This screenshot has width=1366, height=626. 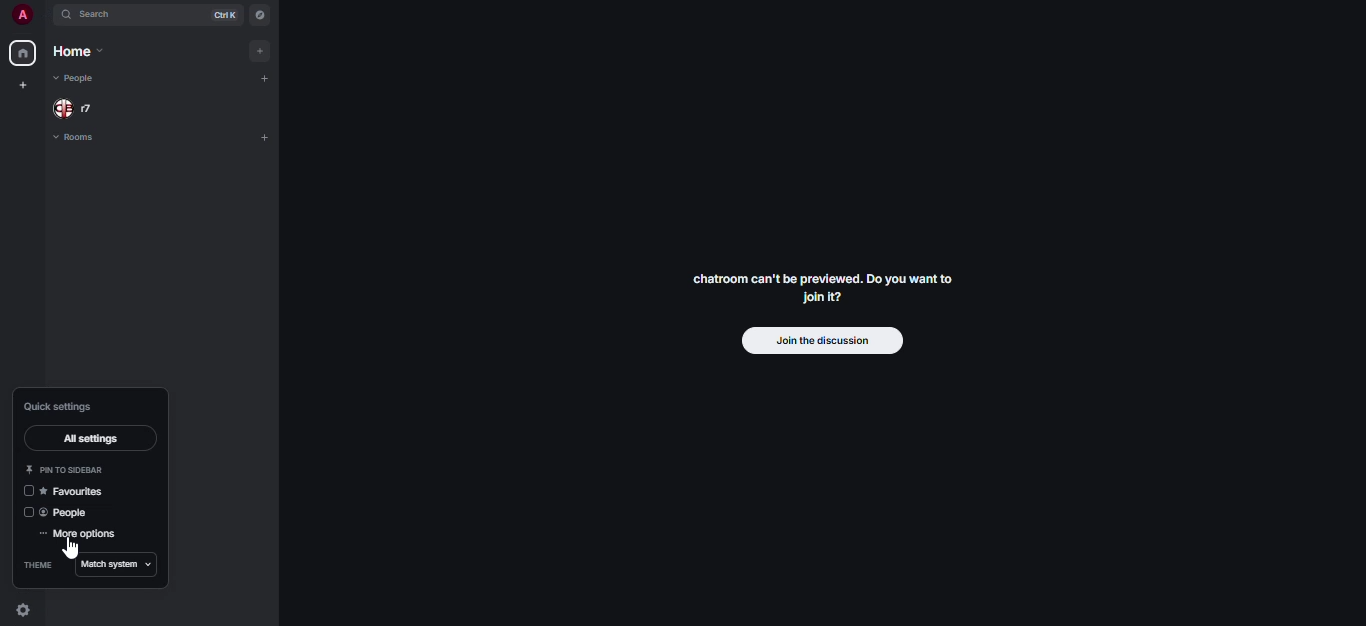 What do you see at coordinates (21, 13) in the screenshot?
I see `profile` at bounding box center [21, 13].